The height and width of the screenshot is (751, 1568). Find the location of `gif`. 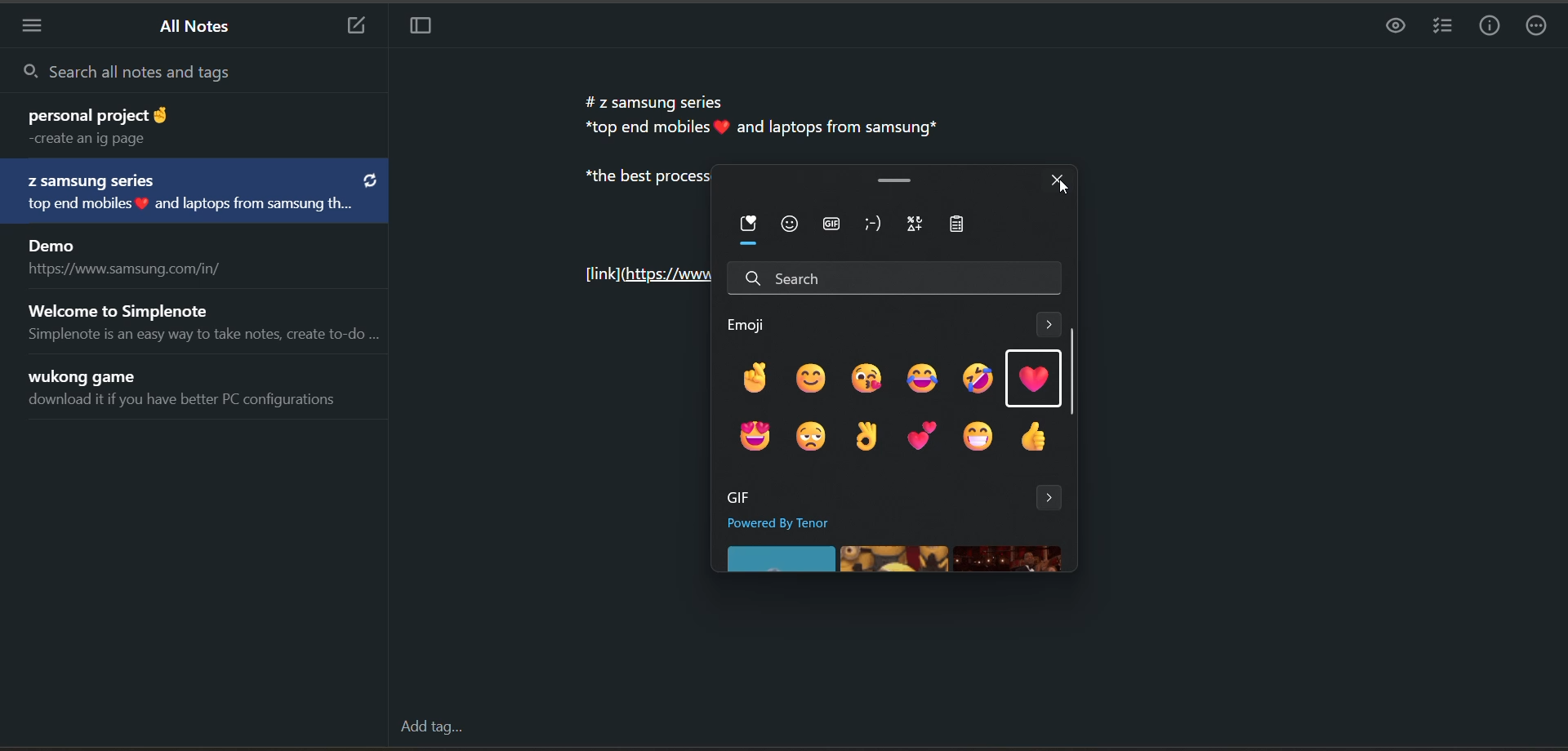

gif is located at coordinates (735, 497).